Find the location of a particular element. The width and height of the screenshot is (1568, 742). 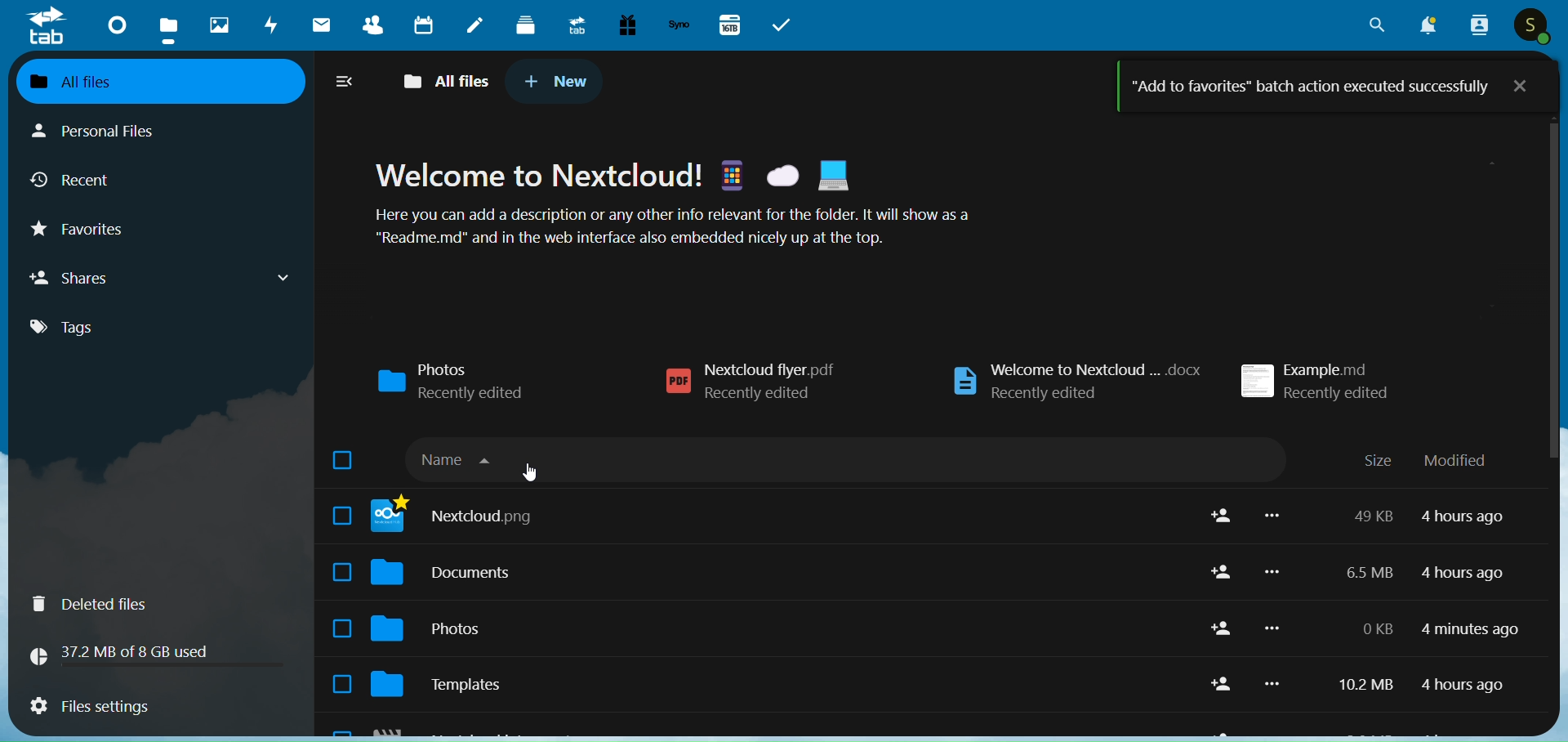

people is located at coordinates (1480, 26).